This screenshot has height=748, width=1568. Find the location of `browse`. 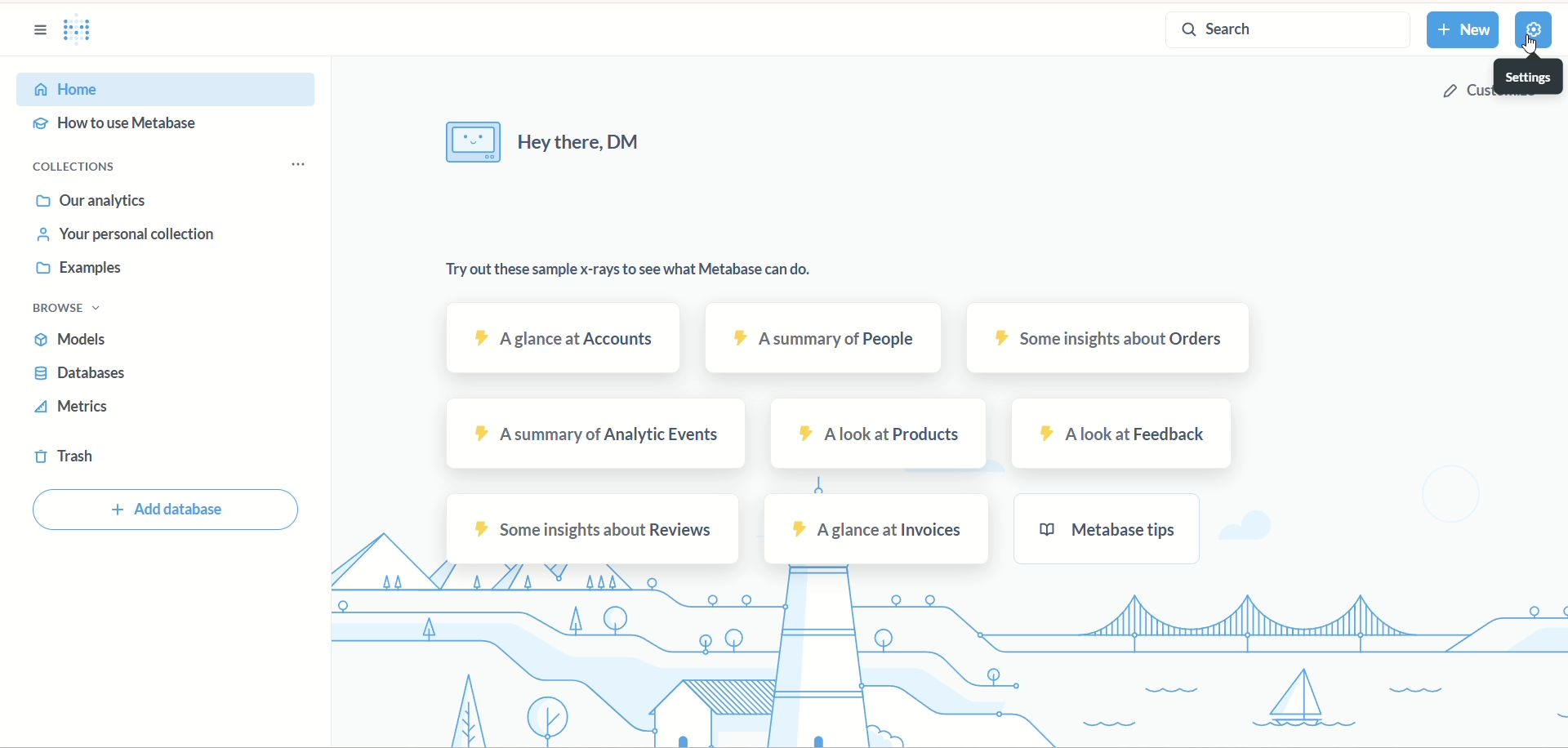

browse is located at coordinates (77, 309).